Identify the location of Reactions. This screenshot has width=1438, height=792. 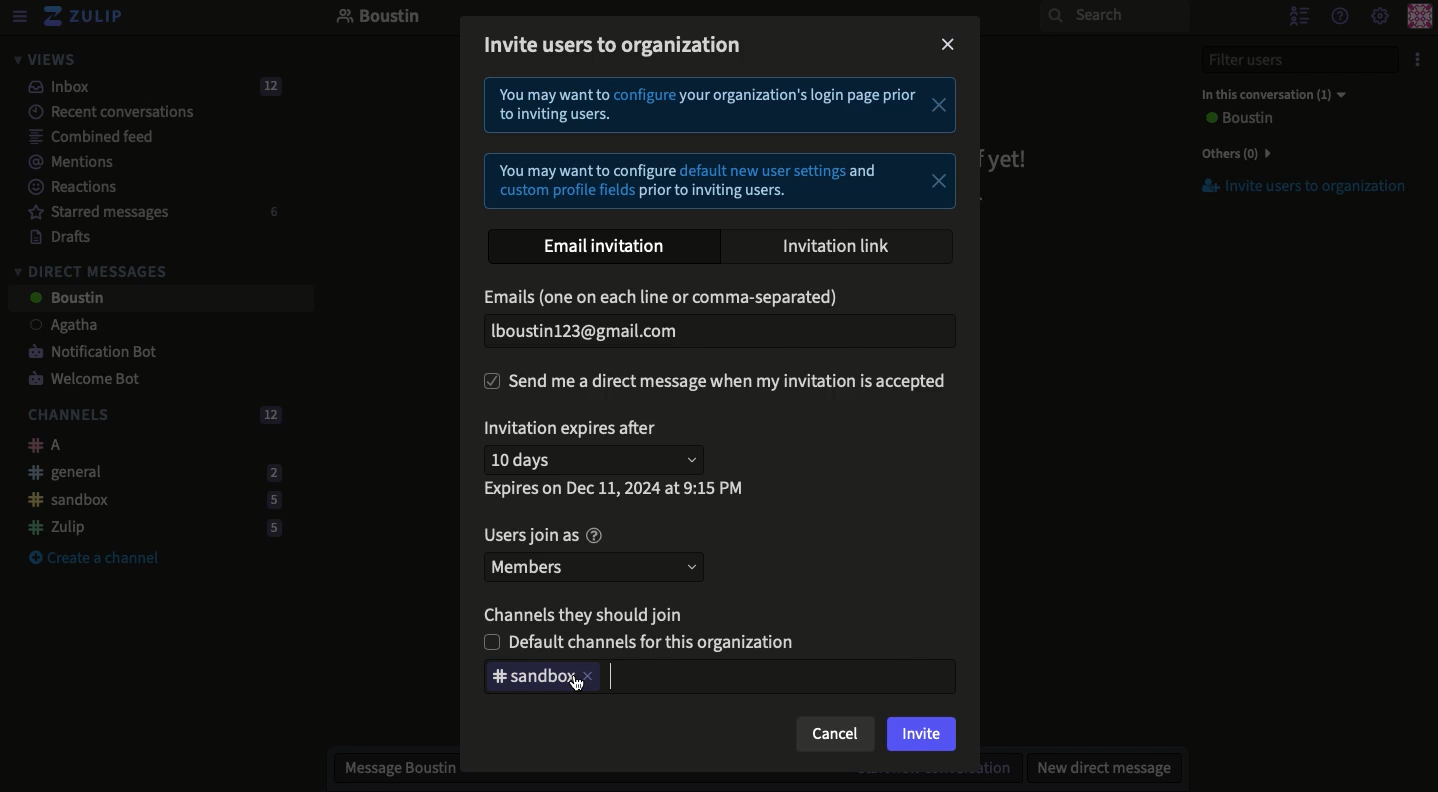
(69, 189).